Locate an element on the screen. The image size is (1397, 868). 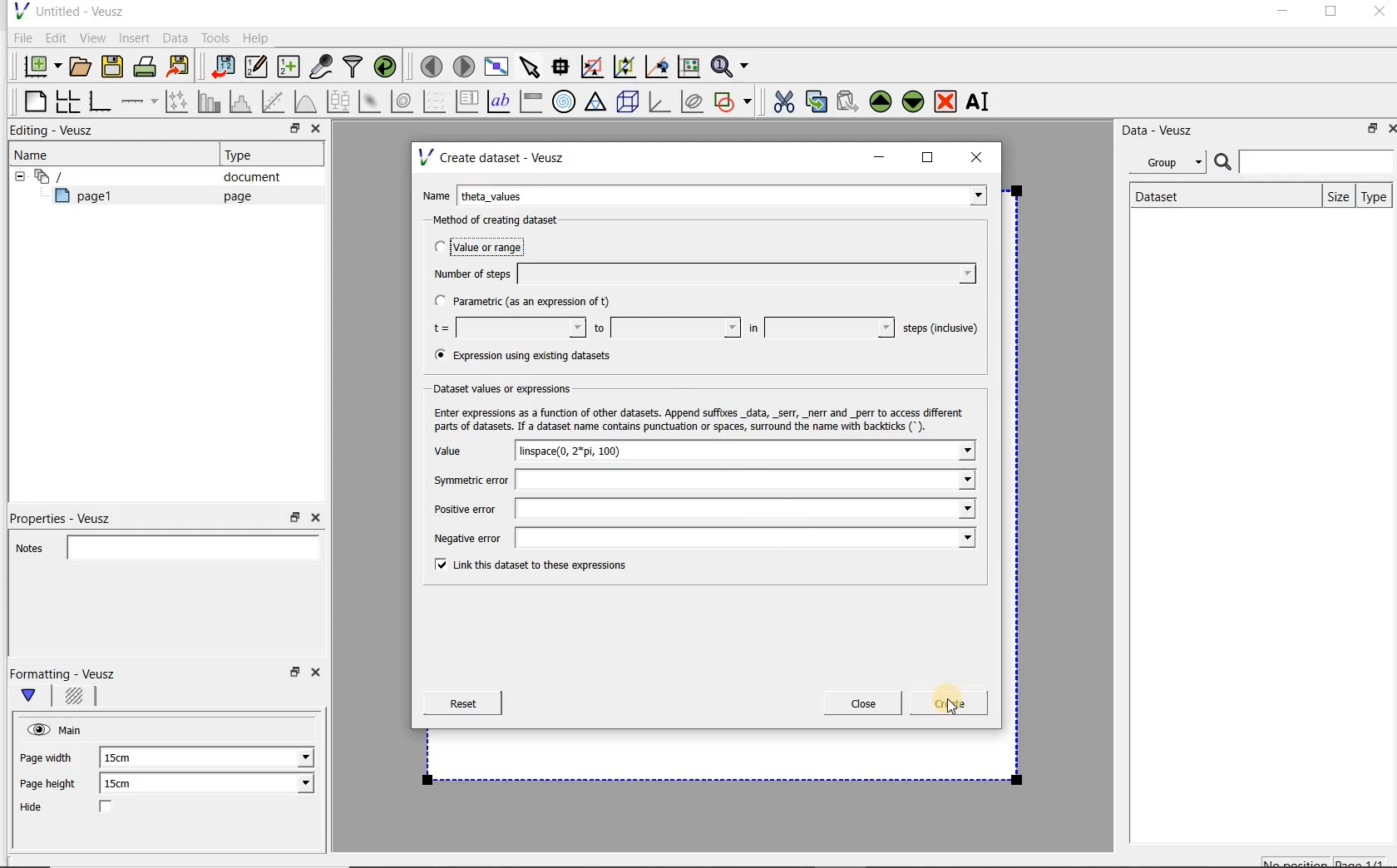
click to recenter graph axes is located at coordinates (658, 67).